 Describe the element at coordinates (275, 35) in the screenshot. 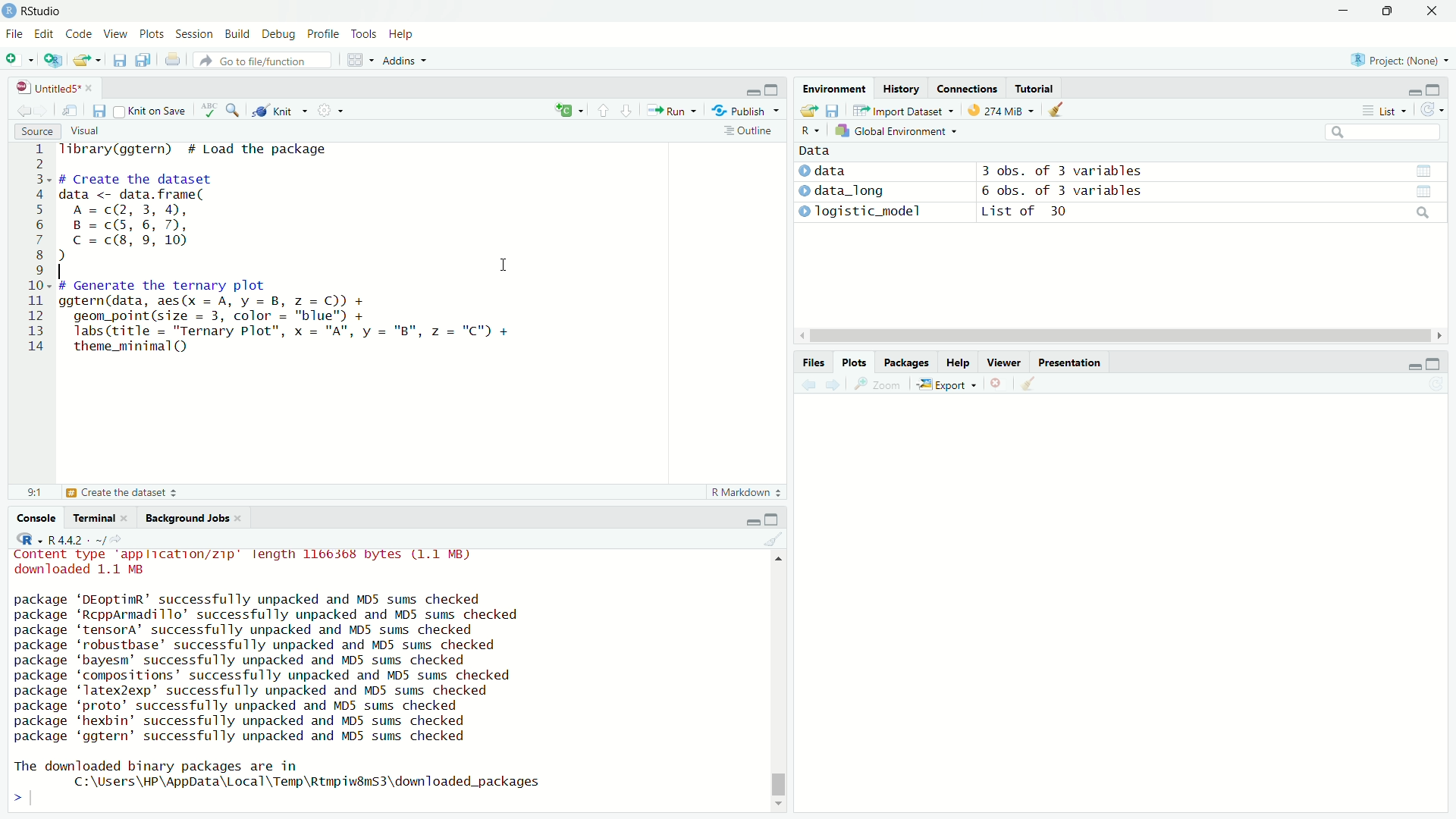

I see `Debug` at that location.